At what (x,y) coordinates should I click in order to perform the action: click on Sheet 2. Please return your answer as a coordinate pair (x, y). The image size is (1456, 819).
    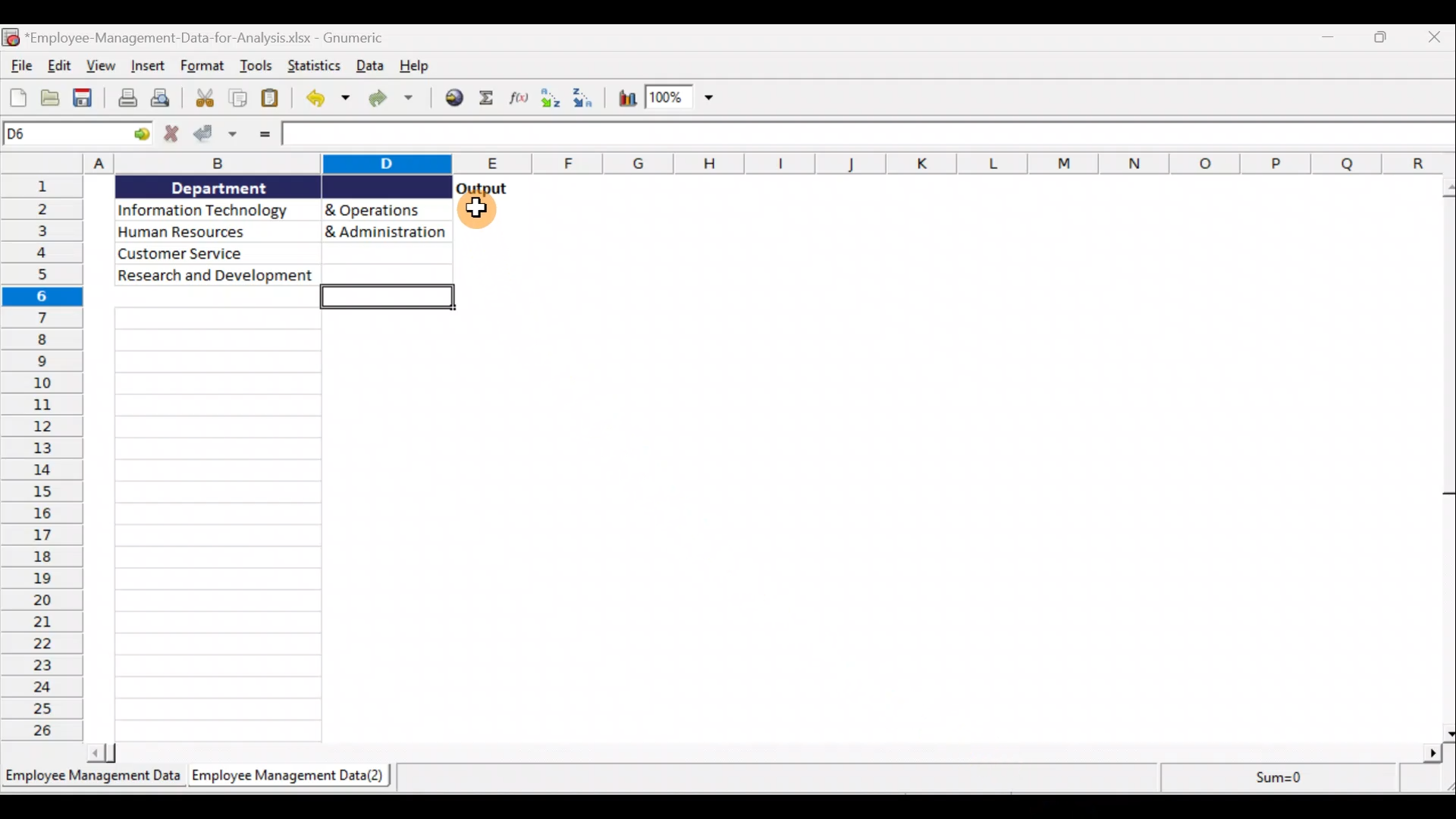
    Looking at the image, I should click on (293, 777).